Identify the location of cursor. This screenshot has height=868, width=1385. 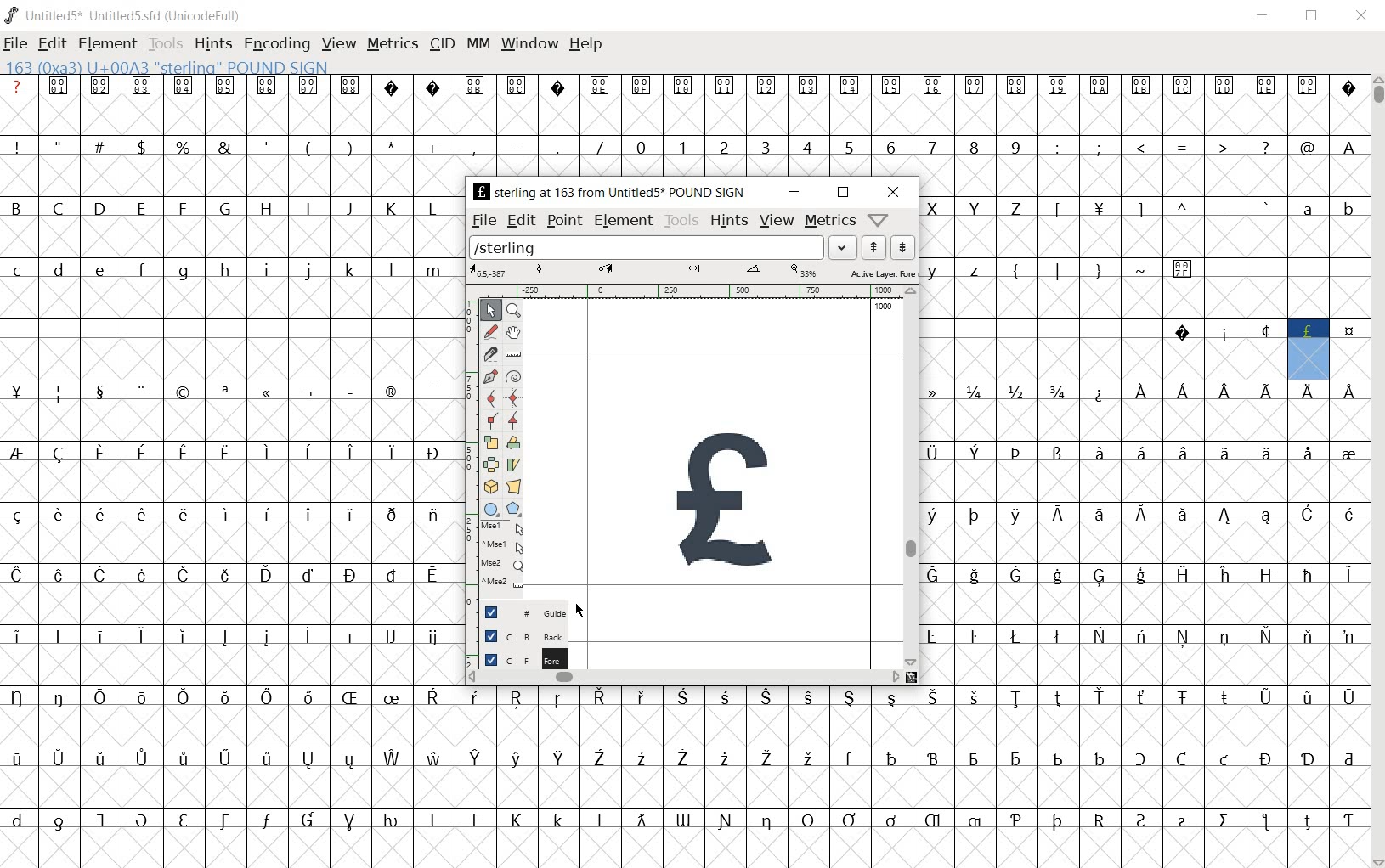
(580, 610).